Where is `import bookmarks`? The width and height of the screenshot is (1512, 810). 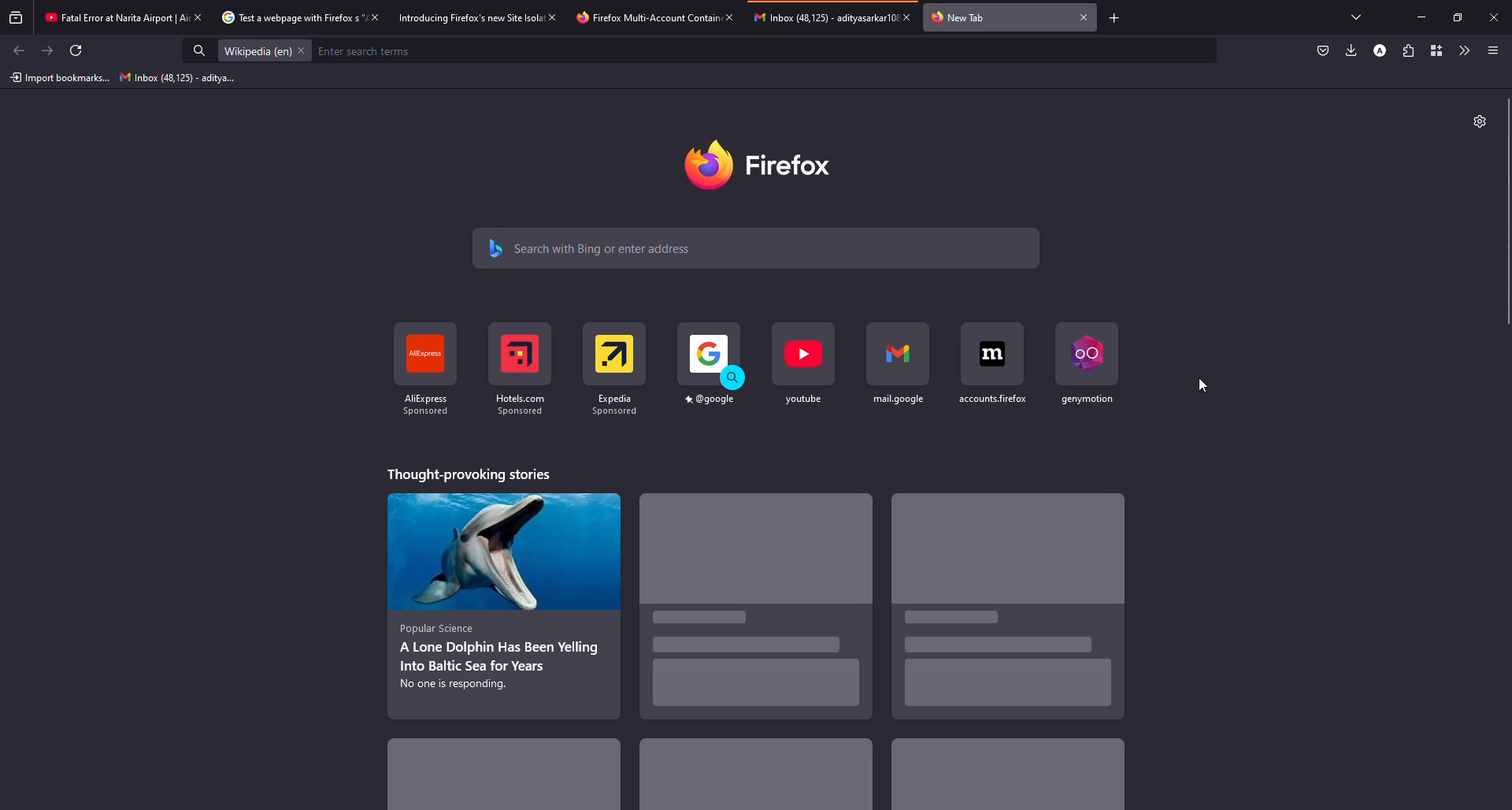
import bookmarks is located at coordinates (57, 78).